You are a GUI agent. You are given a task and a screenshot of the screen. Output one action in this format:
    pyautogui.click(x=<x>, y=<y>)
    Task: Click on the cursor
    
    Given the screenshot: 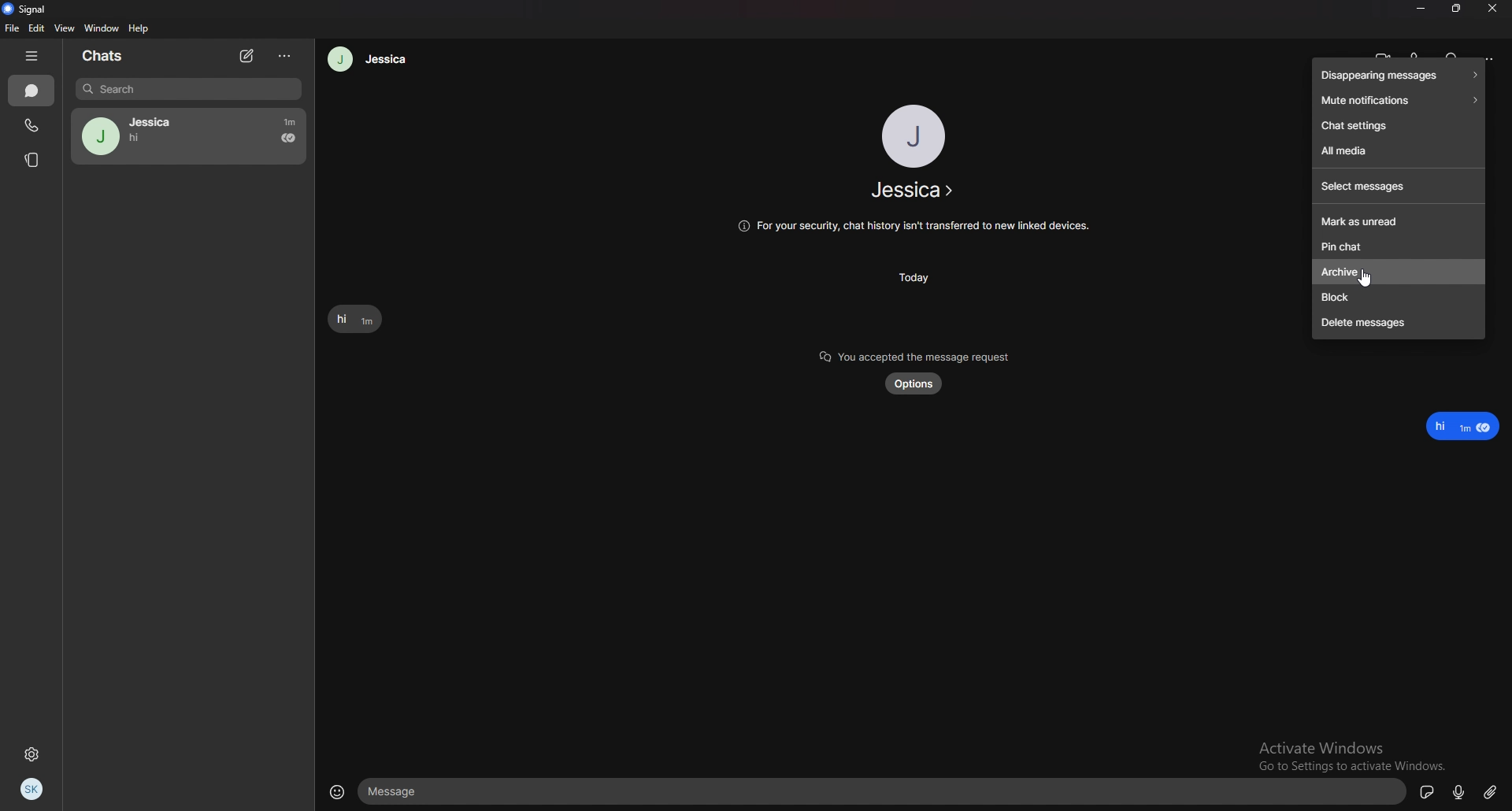 What is the action you would take?
    pyautogui.click(x=1366, y=281)
    